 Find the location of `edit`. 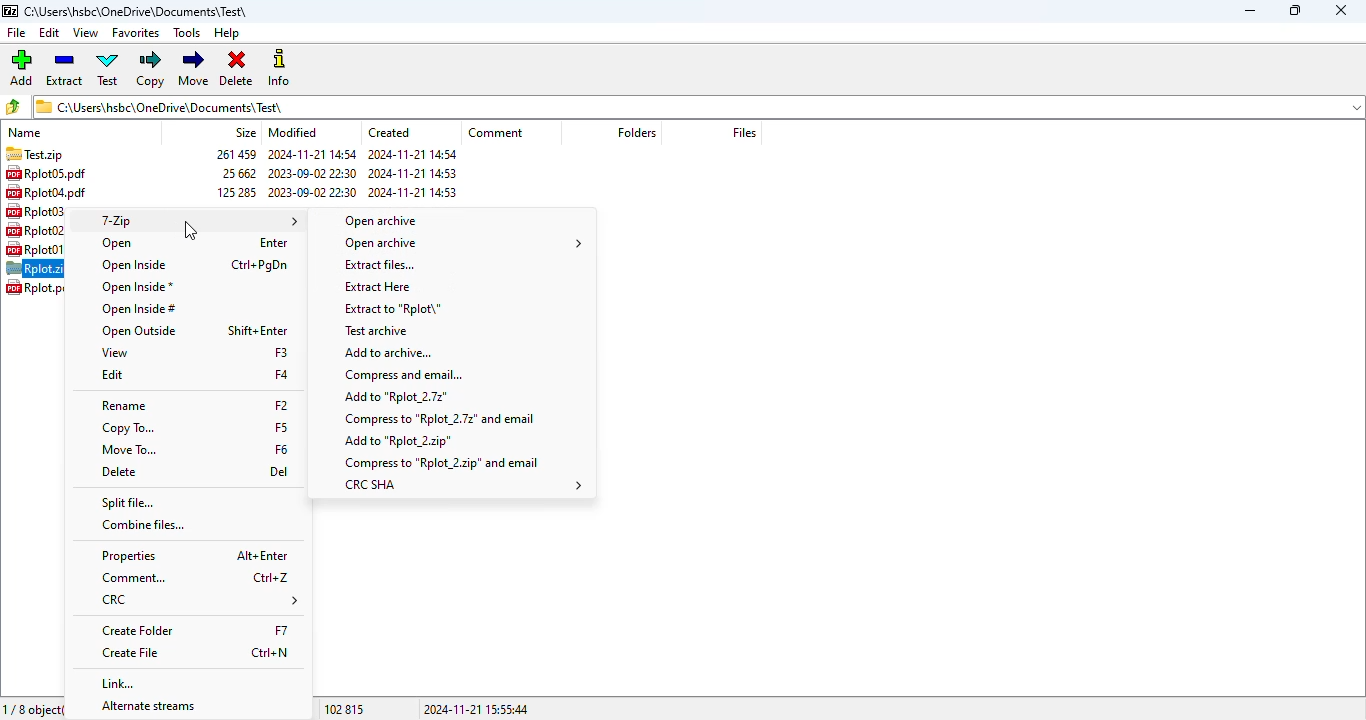

edit is located at coordinates (50, 33).